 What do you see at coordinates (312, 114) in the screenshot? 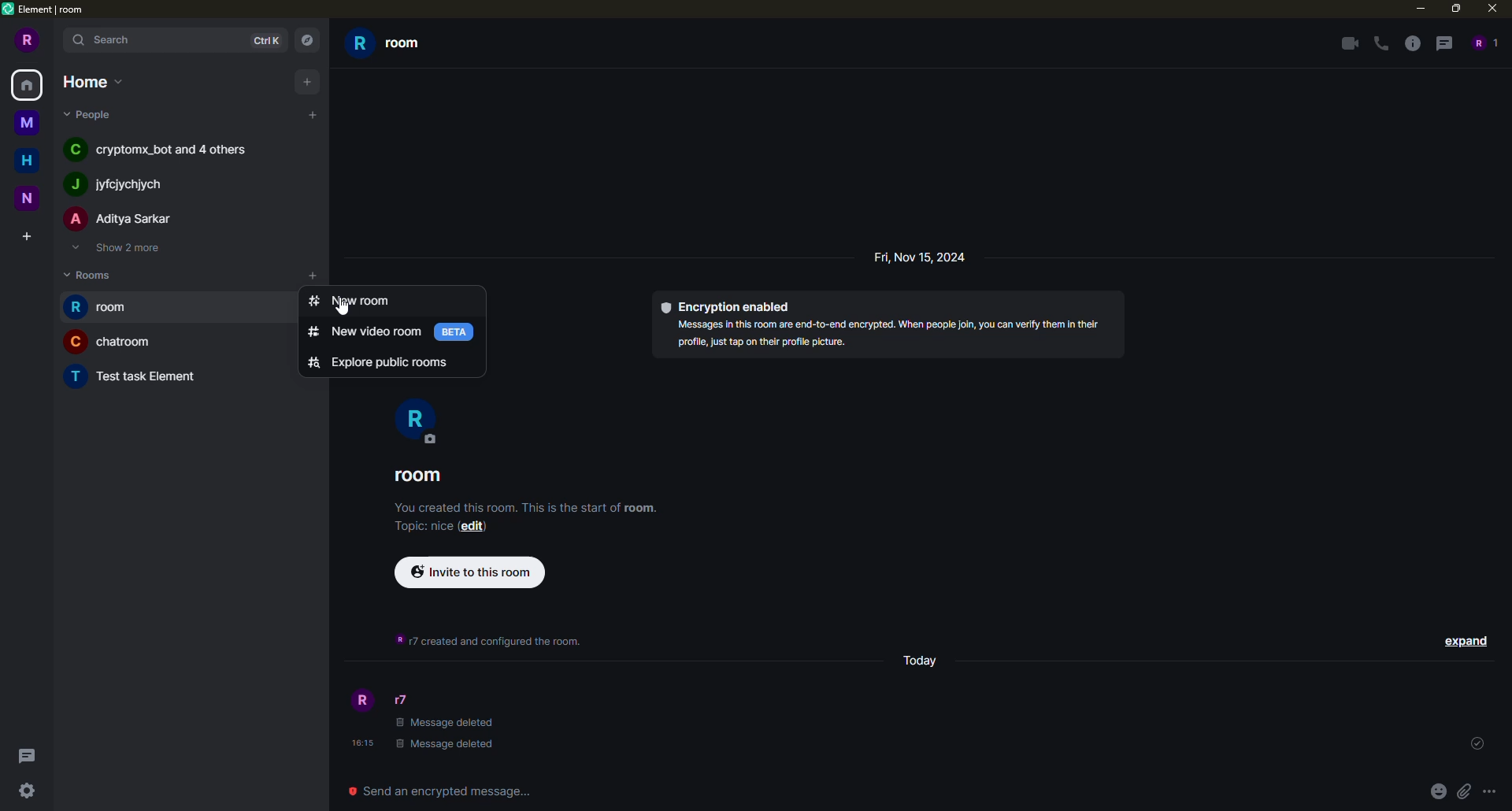
I see `add` at bounding box center [312, 114].